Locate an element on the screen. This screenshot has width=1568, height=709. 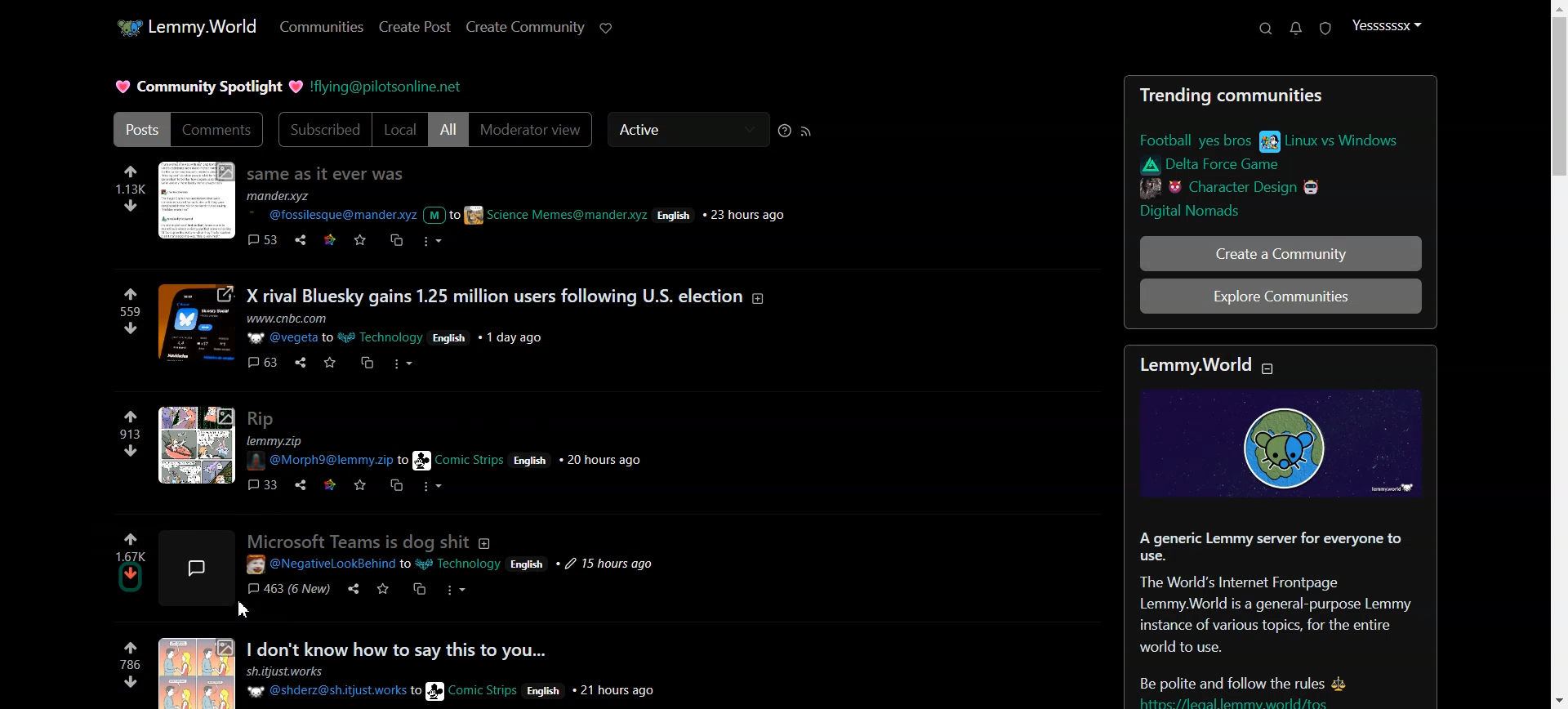
share is located at coordinates (351, 591).